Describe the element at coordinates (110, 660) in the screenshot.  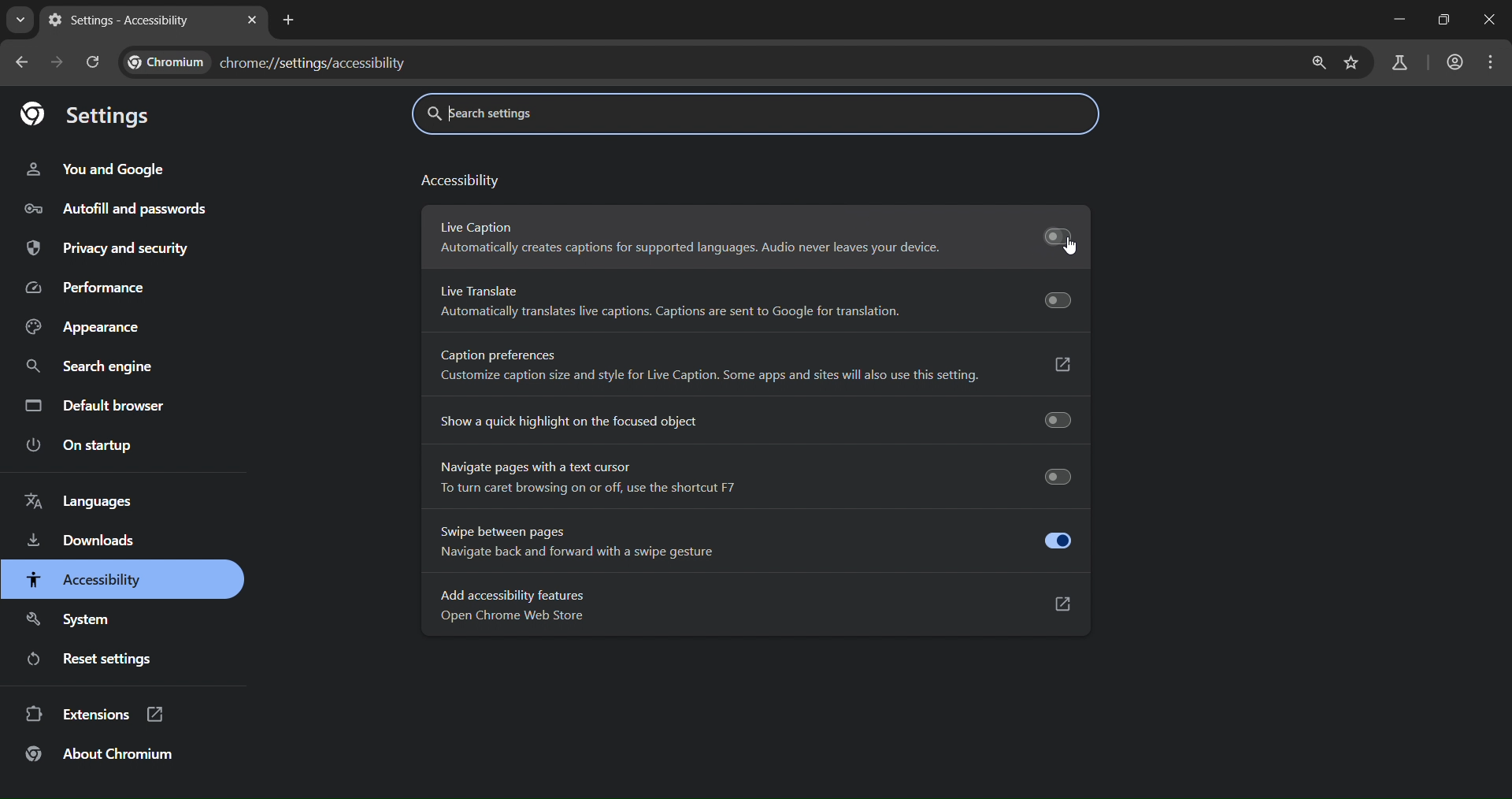
I see `reset settings` at that location.